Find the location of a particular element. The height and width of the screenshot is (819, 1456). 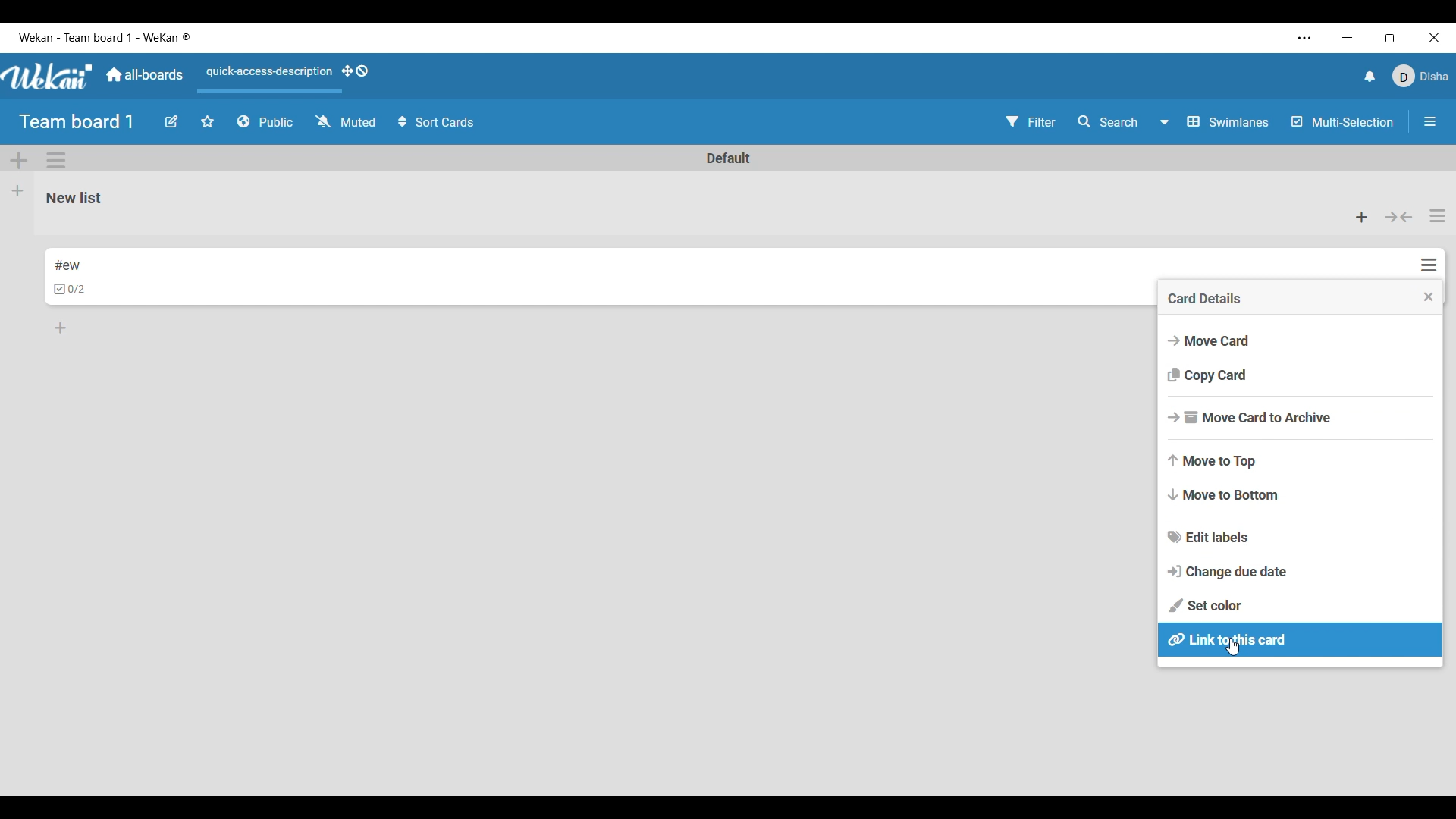

Minimize is located at coordinates (1348, 37).